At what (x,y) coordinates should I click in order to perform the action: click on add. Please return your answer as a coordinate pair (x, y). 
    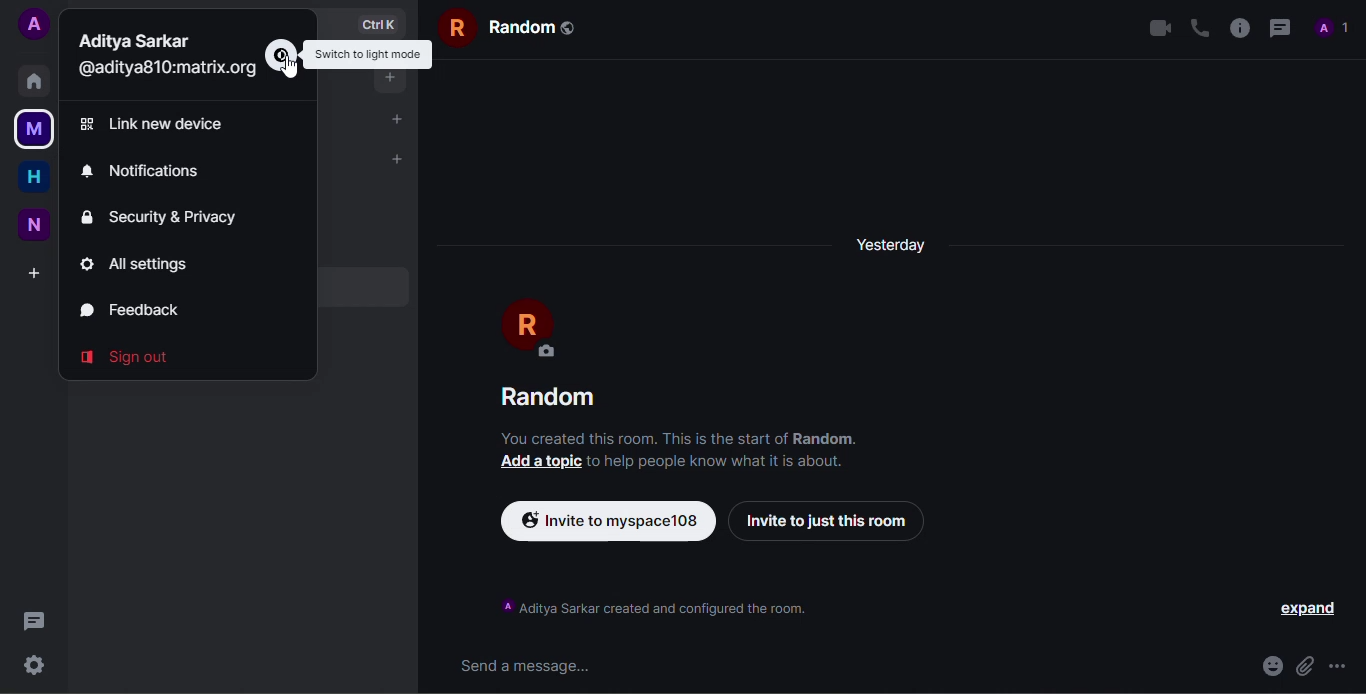
    Looking at the image, I should click on (398, 158).